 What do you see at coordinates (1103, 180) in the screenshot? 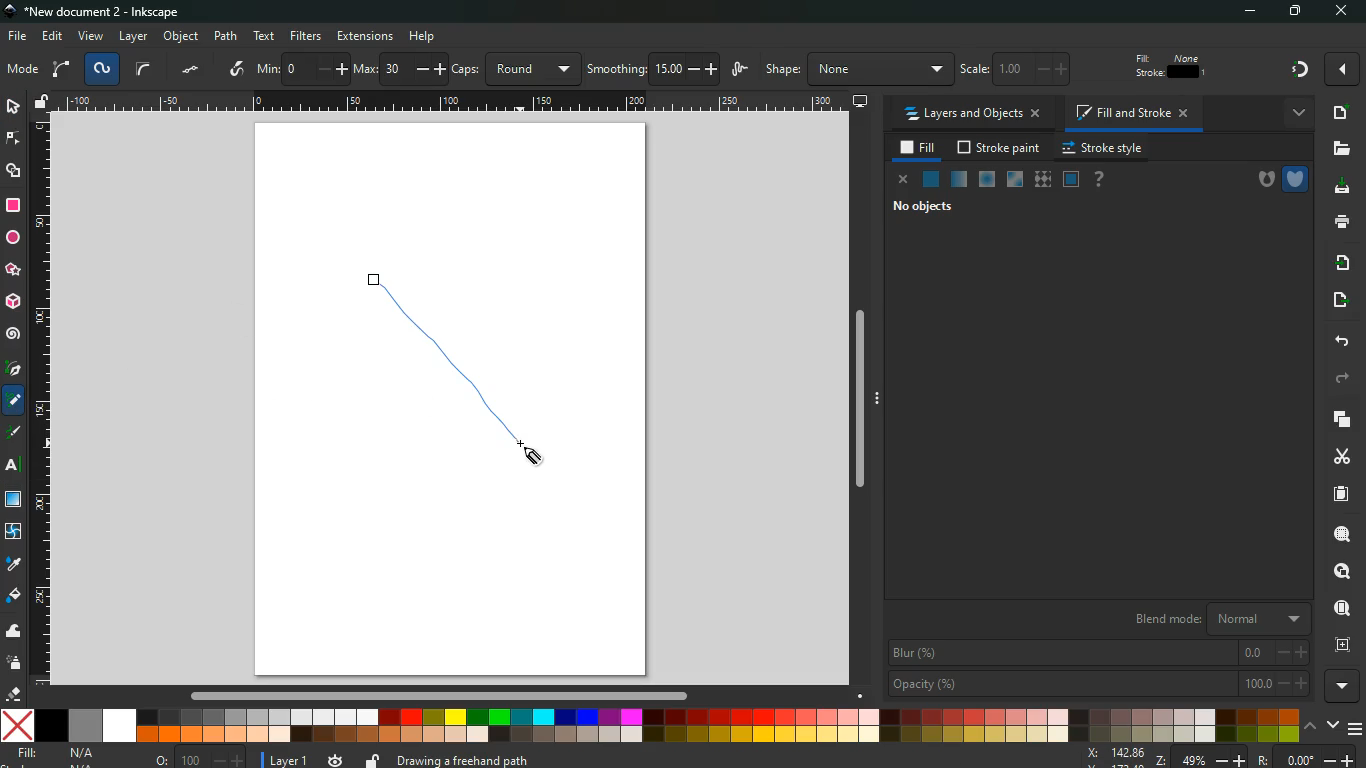
I see `help` at bounding box center [1103, 180].